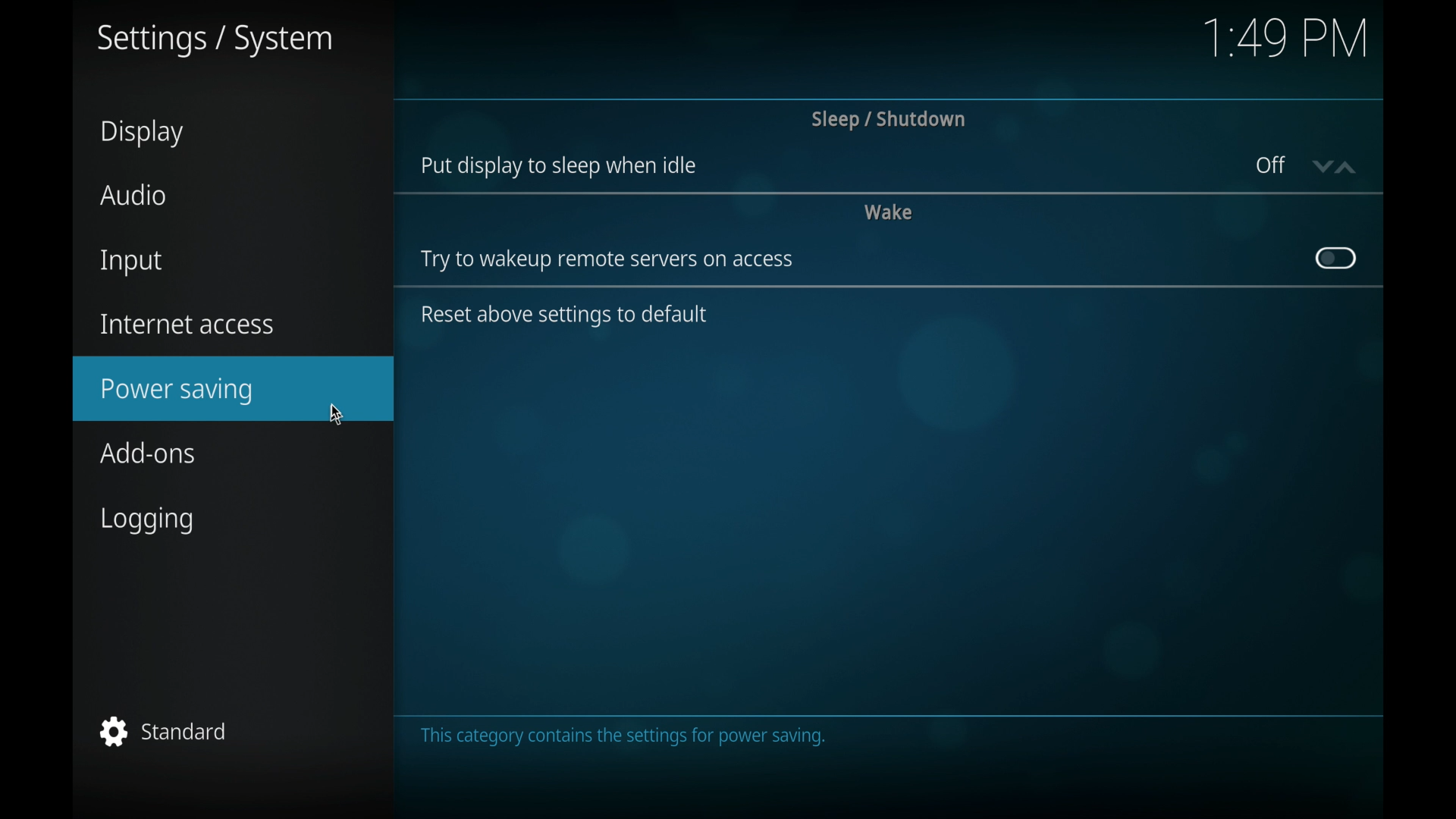 The height and width of the screenshot is (819, 1456). What do you see at coordinates (567, 316) in the screenshot?
I see `reset above settings default` at bounding box center [567, 316].